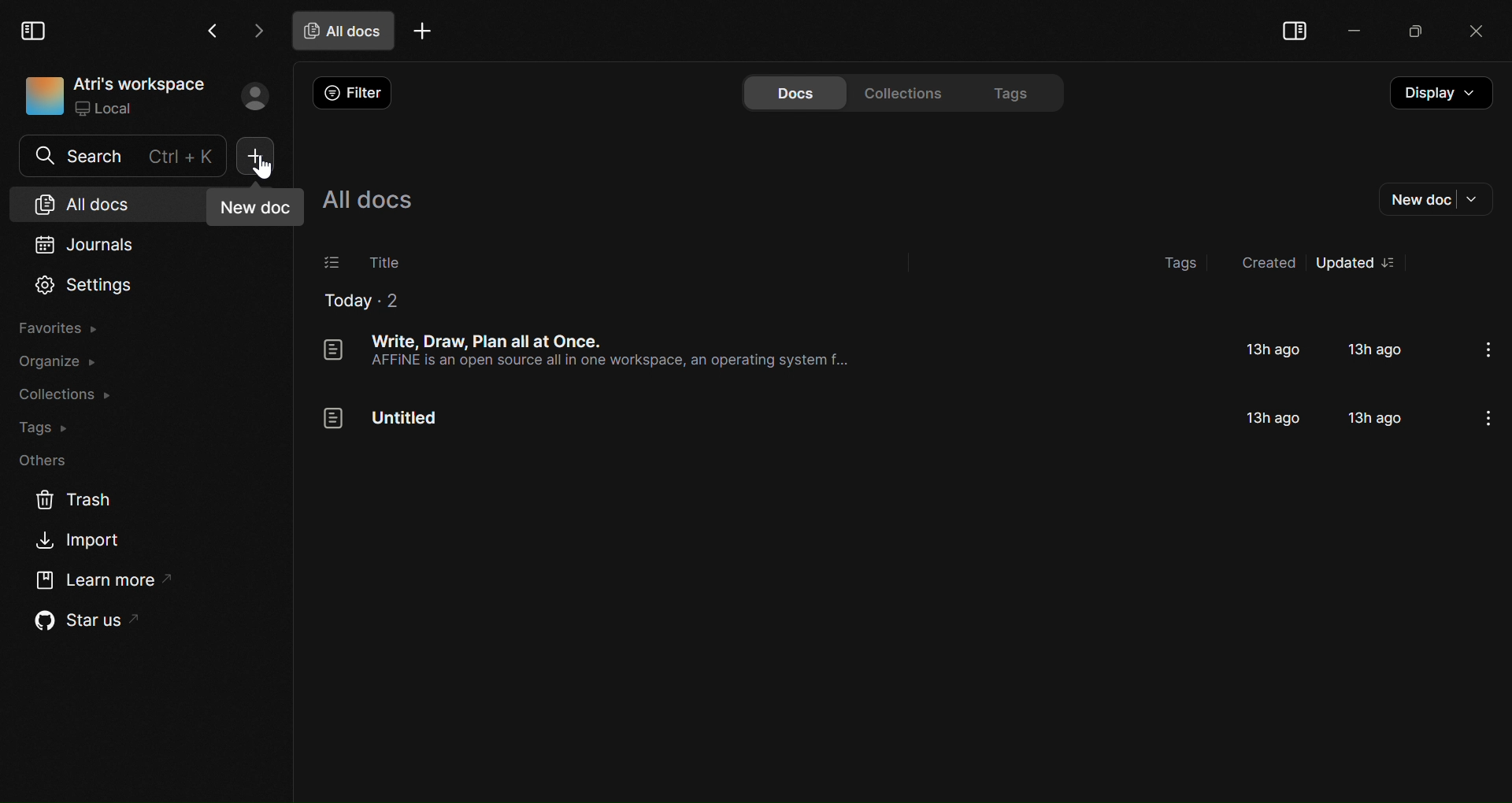 Image resolution: width=1512 pixels, height=803 pixels. Describe the element at coordinates (254, 96) in the screenshot. I see `Profile` at that location.